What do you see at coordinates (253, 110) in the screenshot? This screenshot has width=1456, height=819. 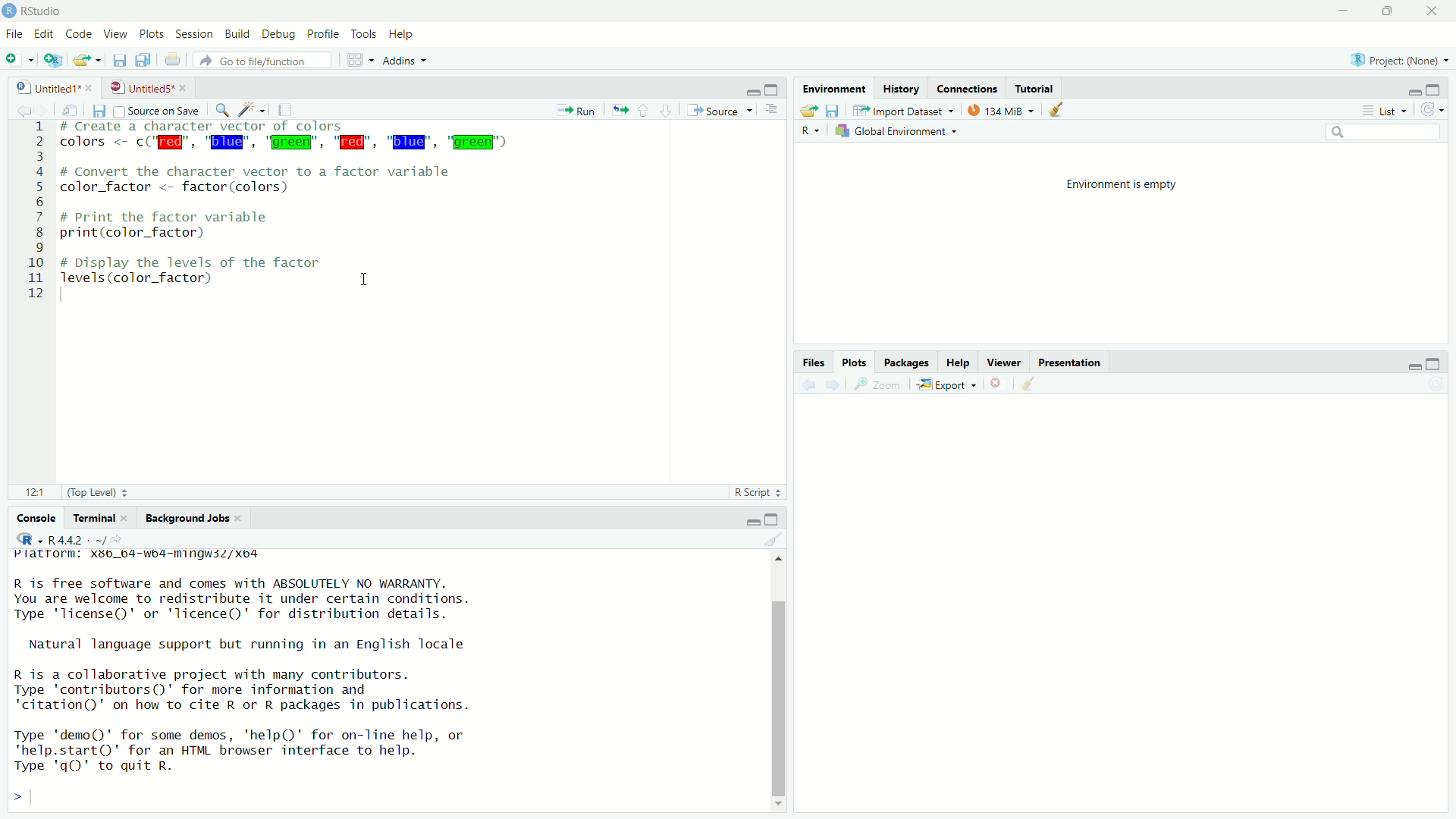 I see `code tools` at bounding box center [253, 110].